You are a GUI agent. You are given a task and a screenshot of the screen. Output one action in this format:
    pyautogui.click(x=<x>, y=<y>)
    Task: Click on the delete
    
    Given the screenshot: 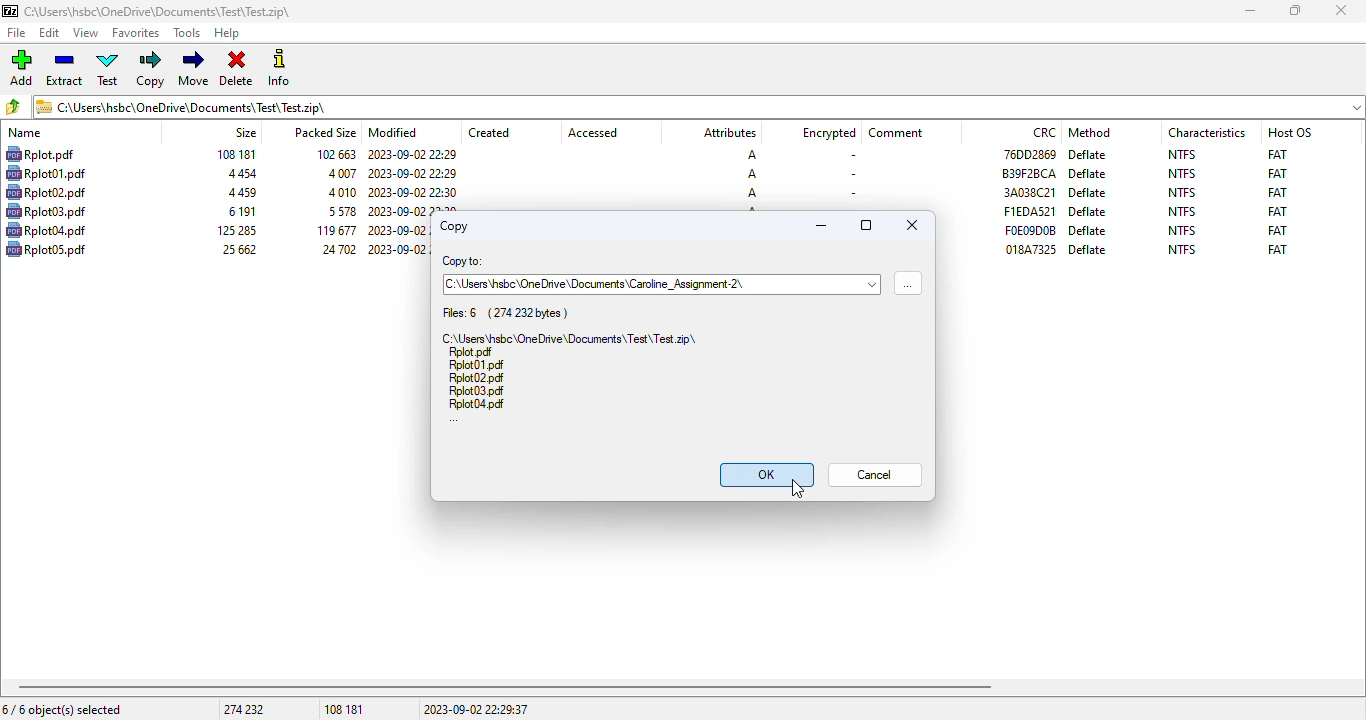 What is the action you would take?
    pyautogui.click(x=236, y=69)
    